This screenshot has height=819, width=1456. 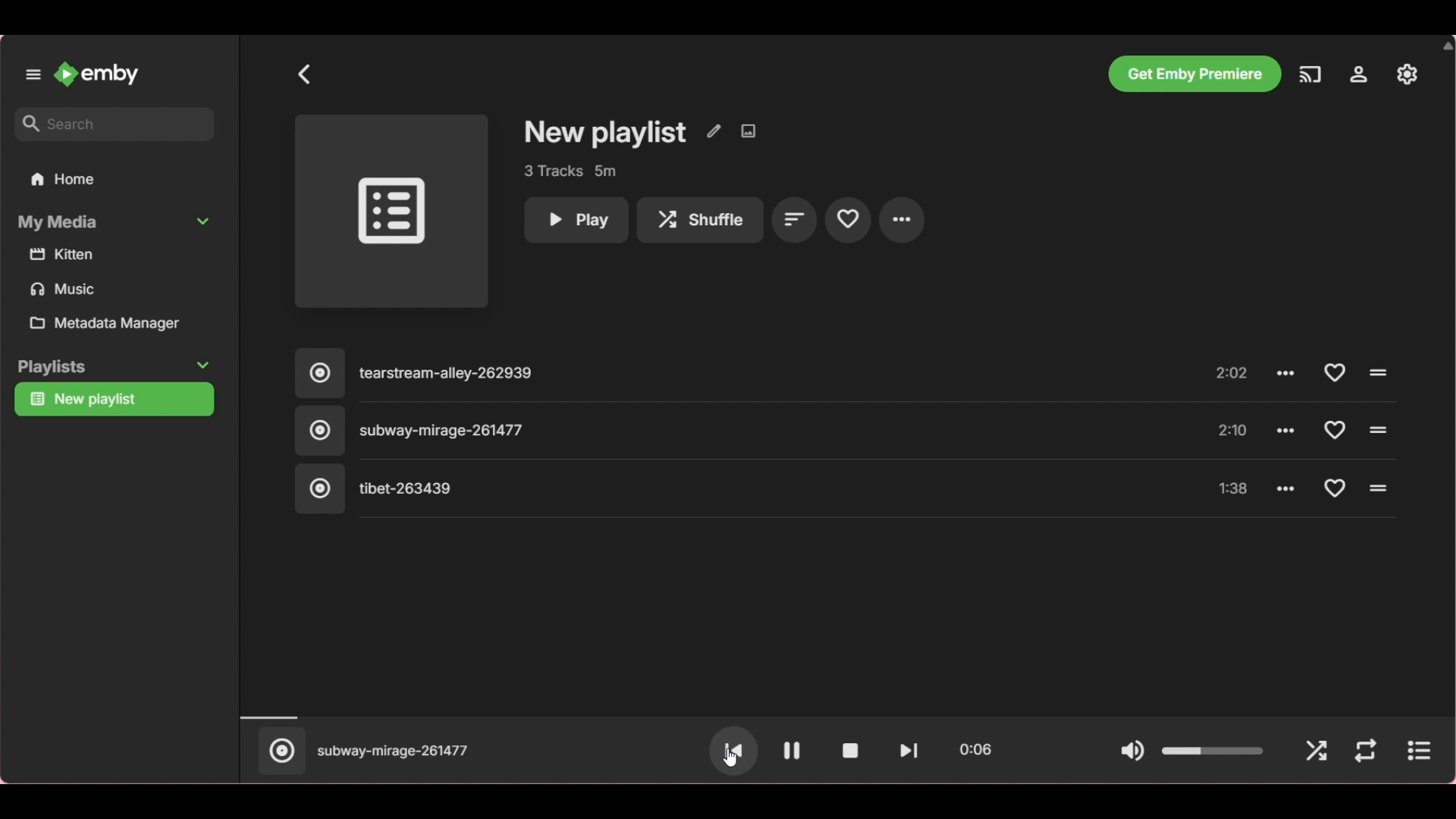 I want to click on cursor, so click(x=732, y=756).